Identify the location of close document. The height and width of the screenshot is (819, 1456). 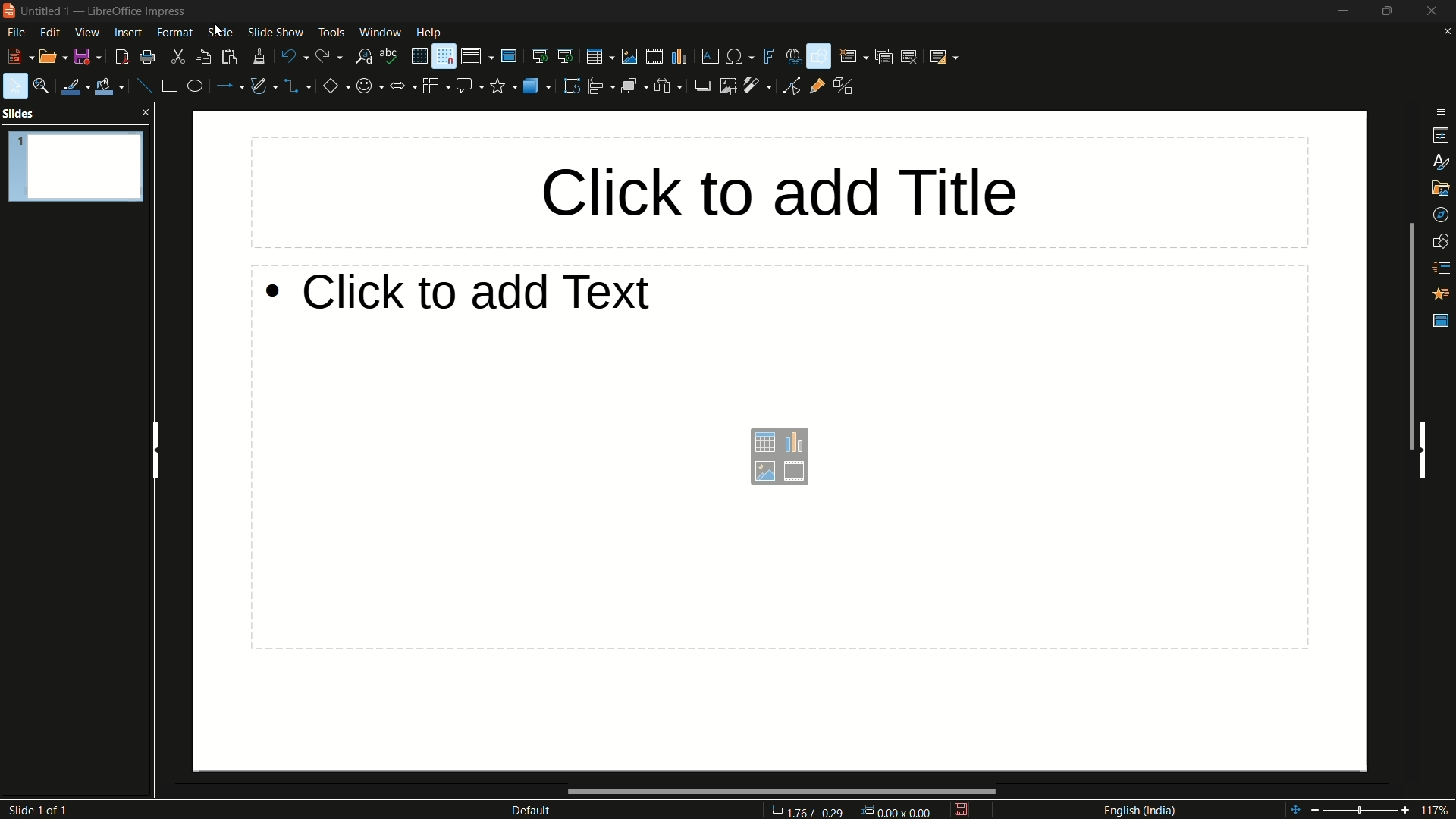
(1445, 32).